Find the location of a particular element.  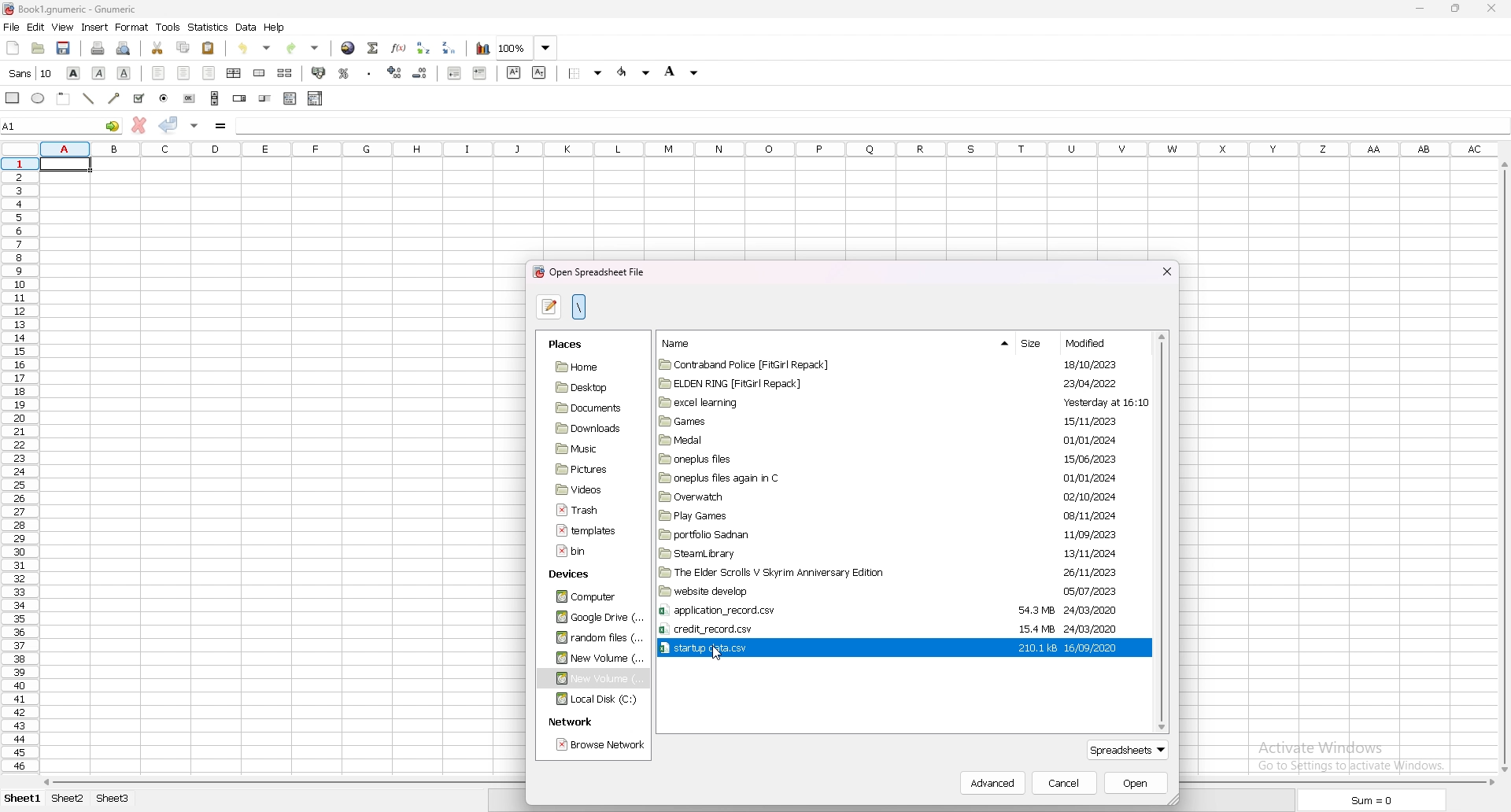

folder is located at coordinates (837, 365).